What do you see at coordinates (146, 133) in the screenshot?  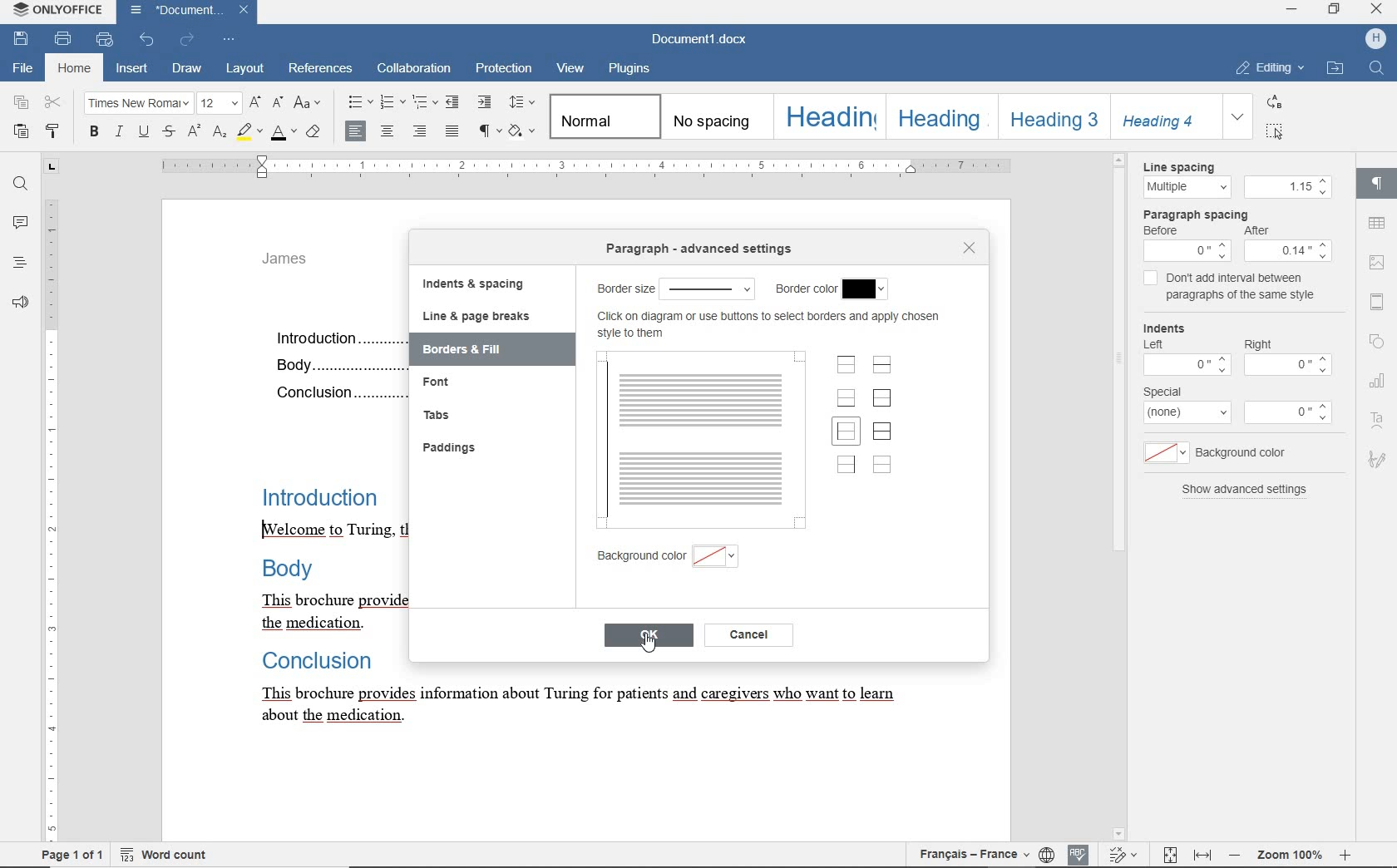 I see `underline` at bounding box center [146, 133].